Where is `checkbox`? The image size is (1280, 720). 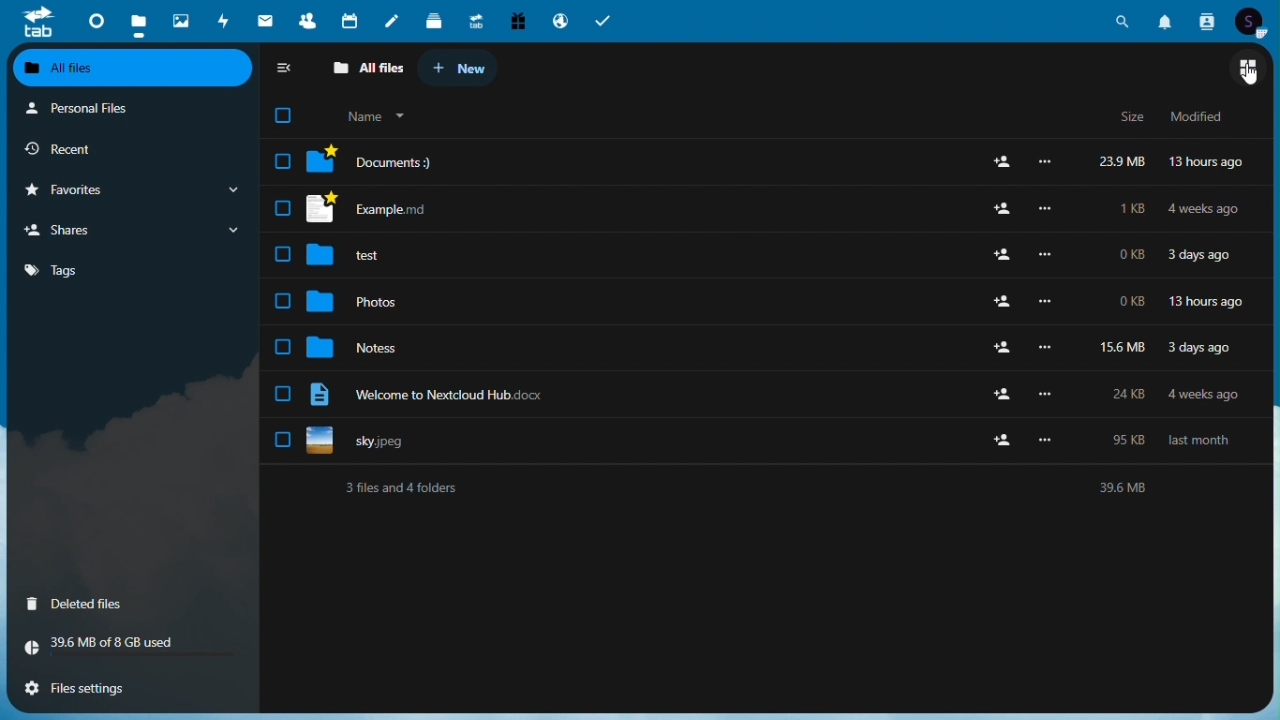
checkbox is located at coordinates (283, 347).